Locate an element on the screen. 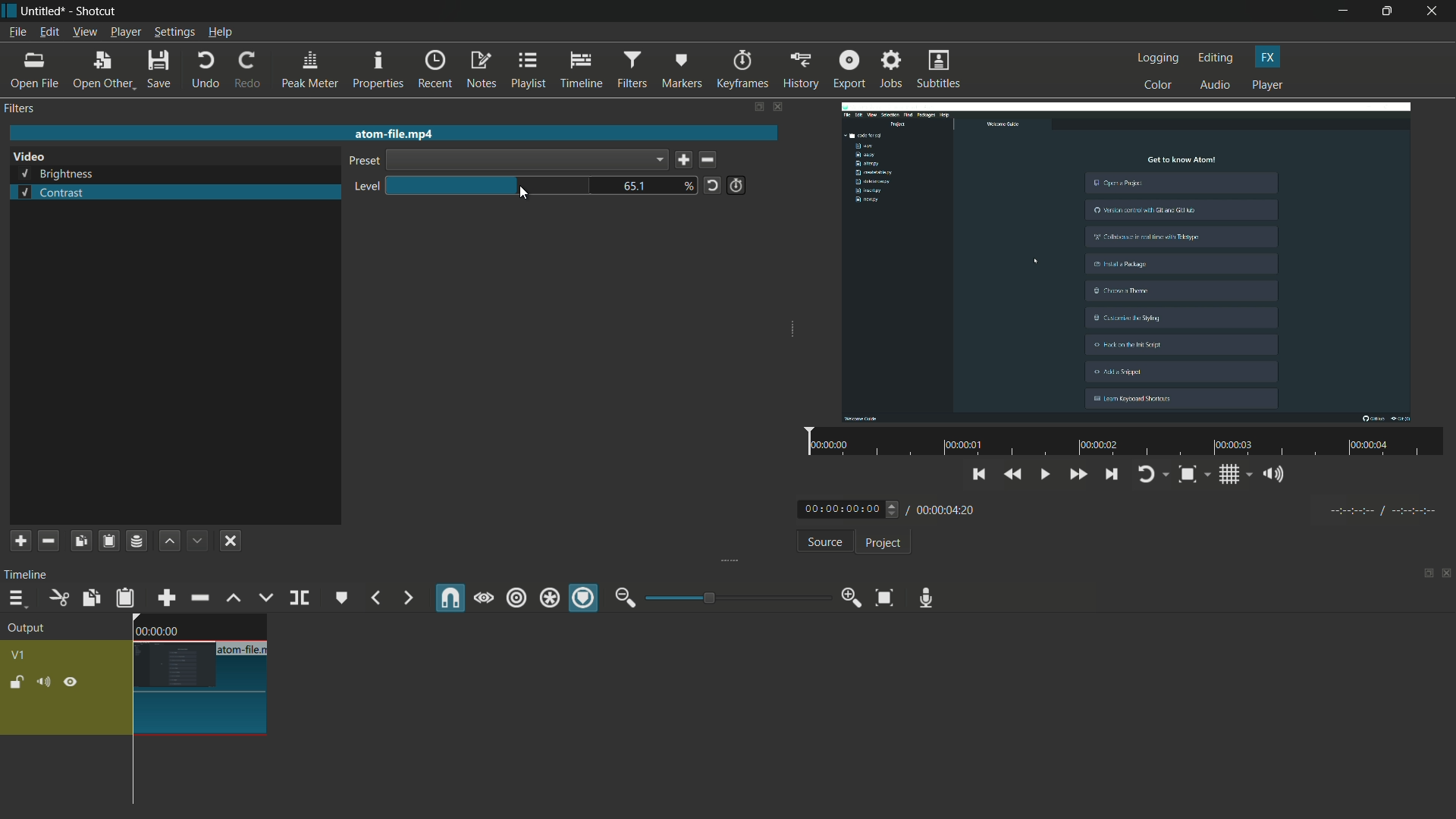  dropdown is located at coordinates (526, 160).